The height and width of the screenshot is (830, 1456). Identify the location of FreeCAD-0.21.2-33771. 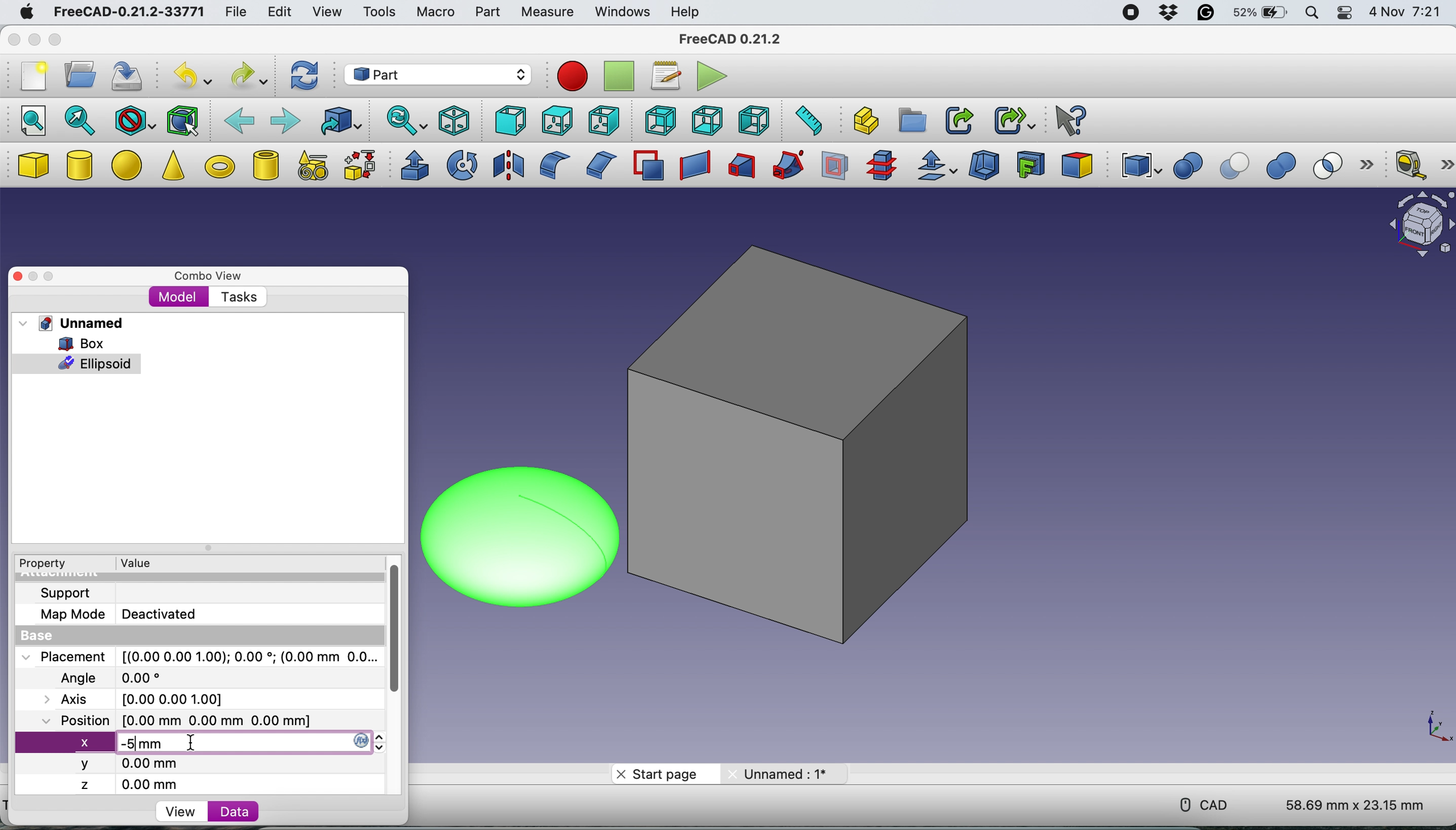
(127, 13).